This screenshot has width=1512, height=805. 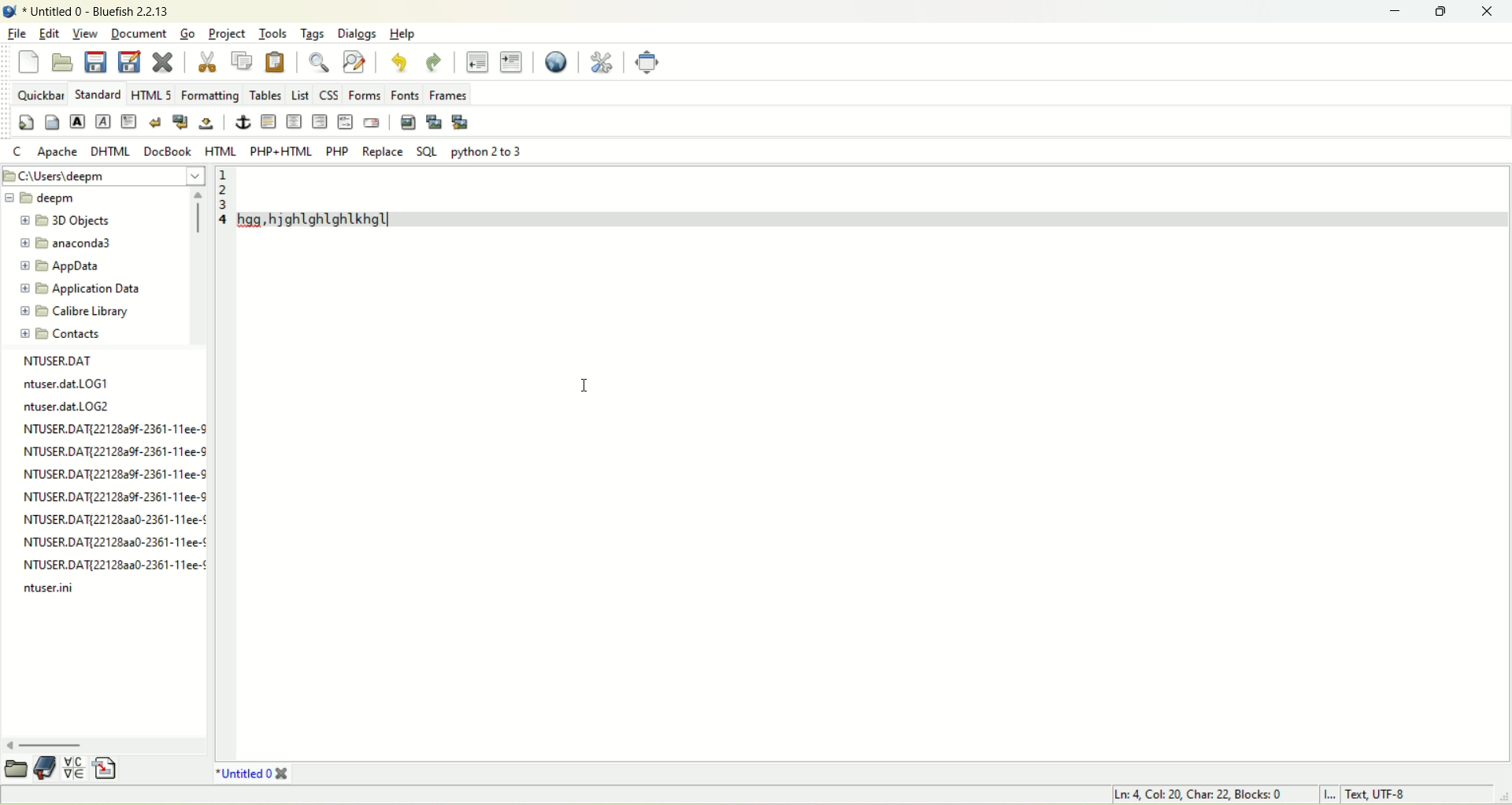 What do you see at coordinates (354, 61) in the screenshot?
I see `find and replace` at bounding box center [354, 61].